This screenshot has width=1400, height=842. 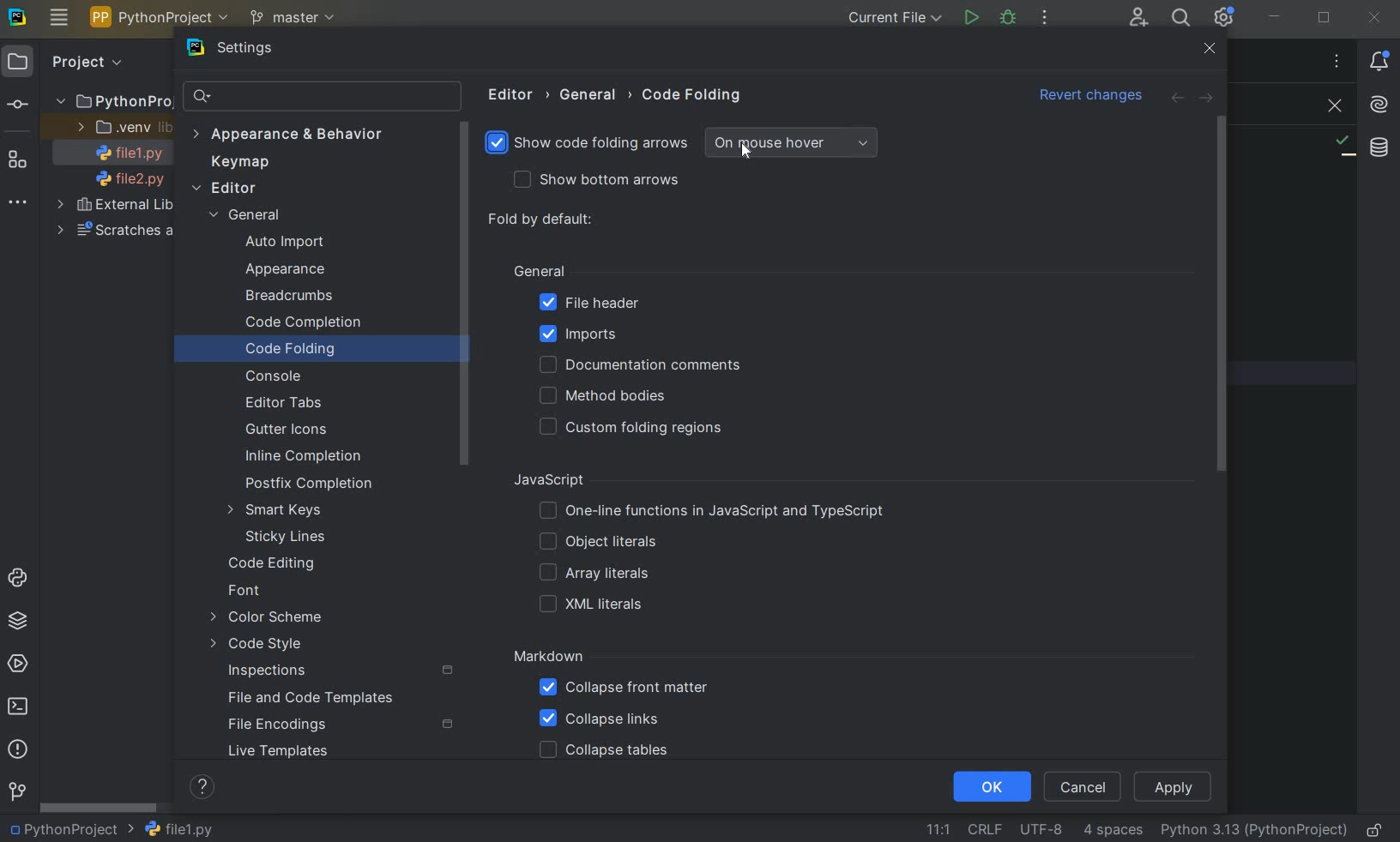 What do you see at coordinates (283, 400) in the screenshot?
I see `EDITOR TABS` at bounding box center [283, 400].